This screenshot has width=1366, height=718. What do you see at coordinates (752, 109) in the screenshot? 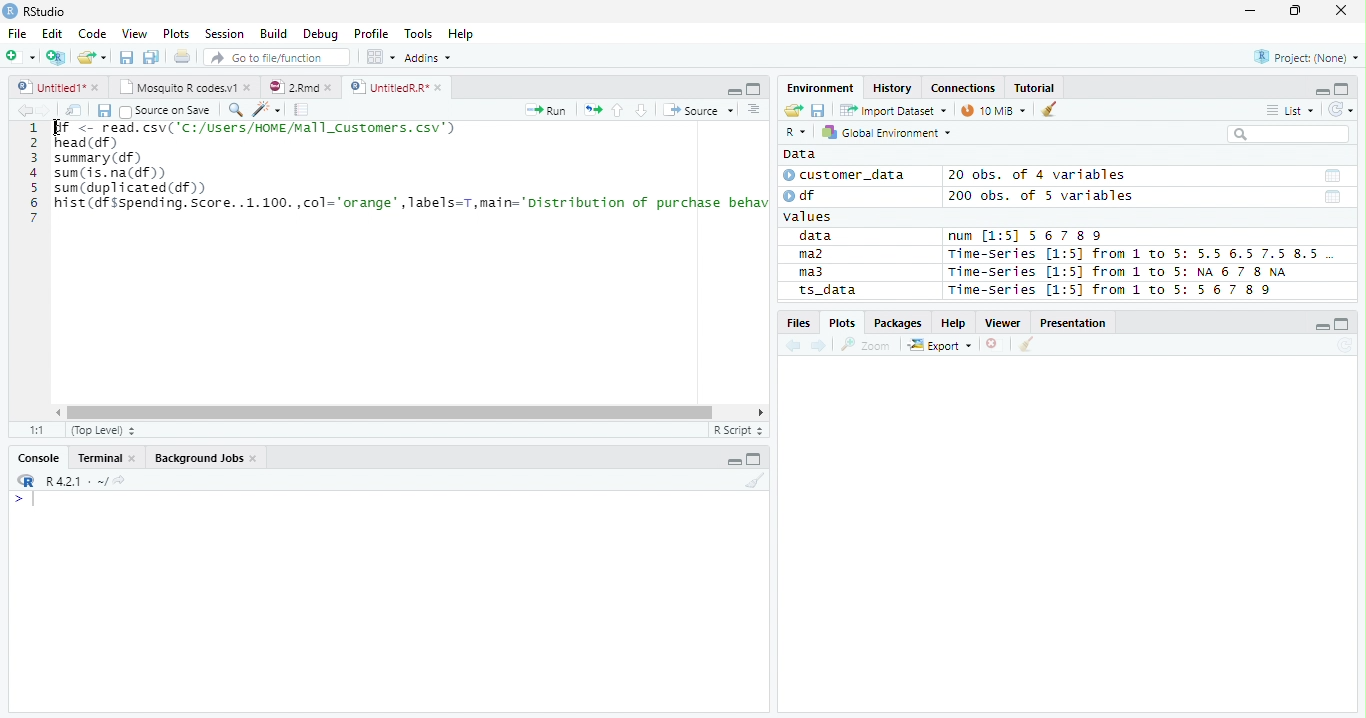
I see `Show document outline` at bounding box center [752, 109].